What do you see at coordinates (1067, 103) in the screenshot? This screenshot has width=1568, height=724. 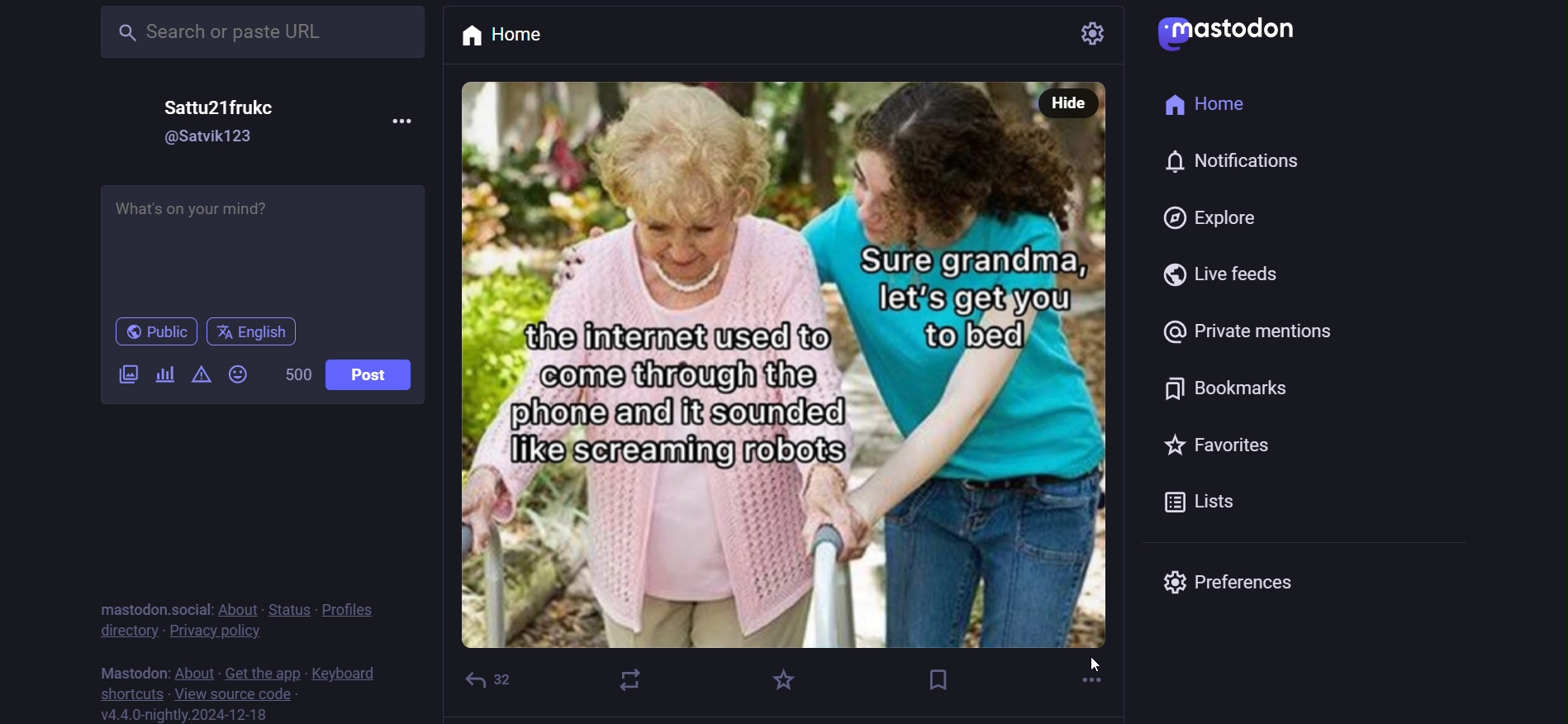 I see `hide` at bounding box center [1067, 103].